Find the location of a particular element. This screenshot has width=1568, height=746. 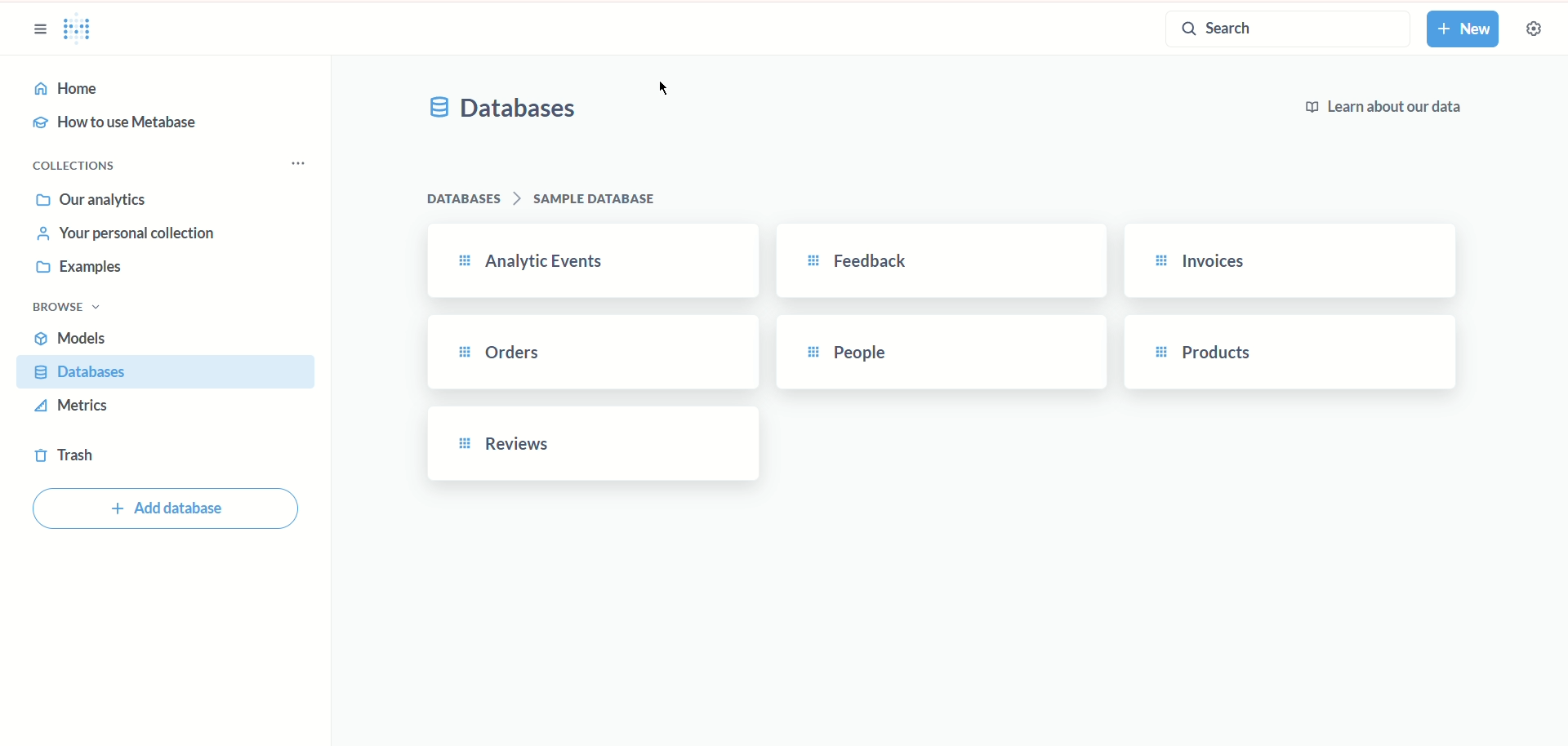

analytic events is located at coordinates (594, 262).